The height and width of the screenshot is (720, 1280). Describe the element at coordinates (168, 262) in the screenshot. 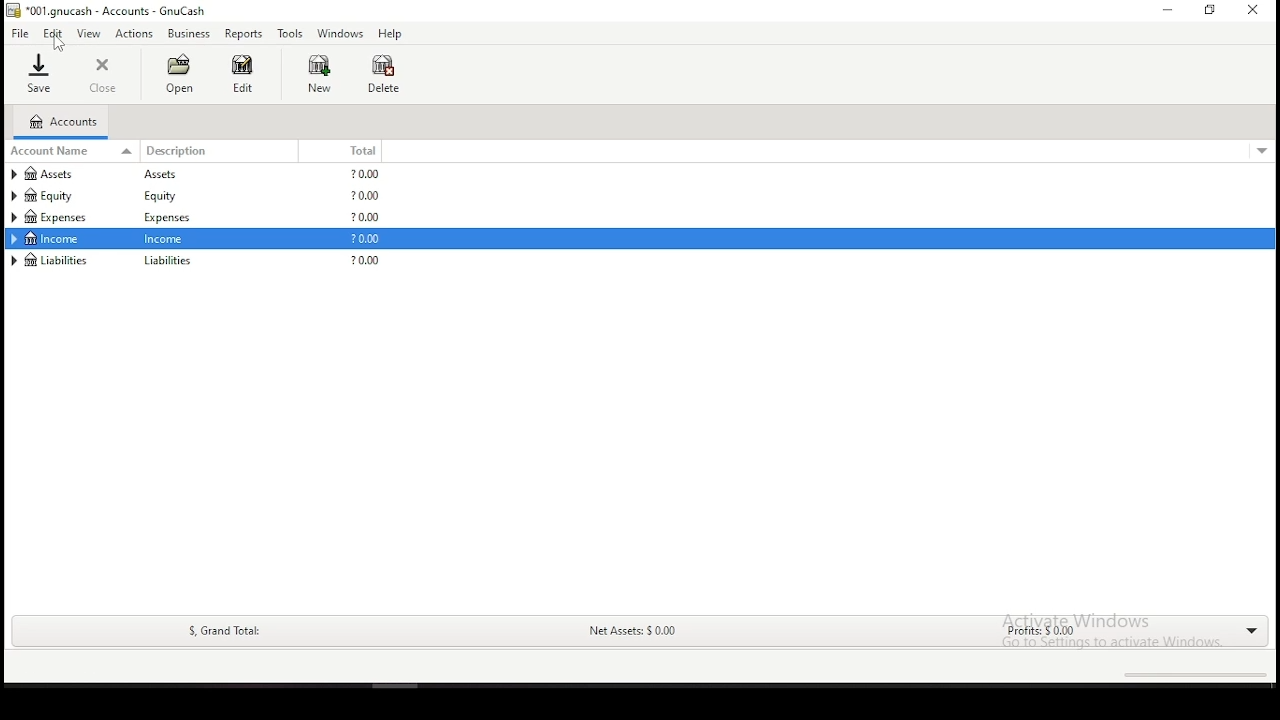

I see `liabilities` at that location.